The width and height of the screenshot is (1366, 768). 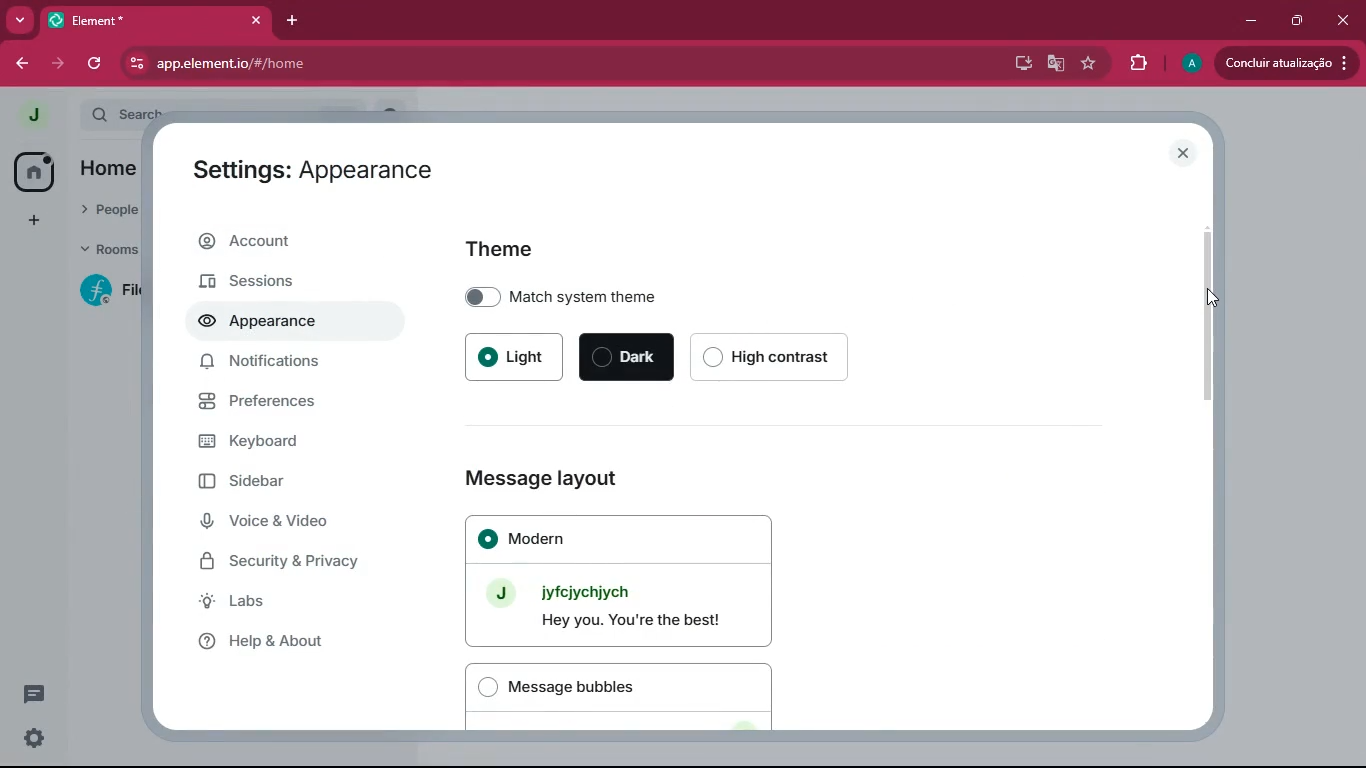 What do you see at coordinates (1344, 19) in the screenshot?
I see `close` at bounding box center [1344, 19].